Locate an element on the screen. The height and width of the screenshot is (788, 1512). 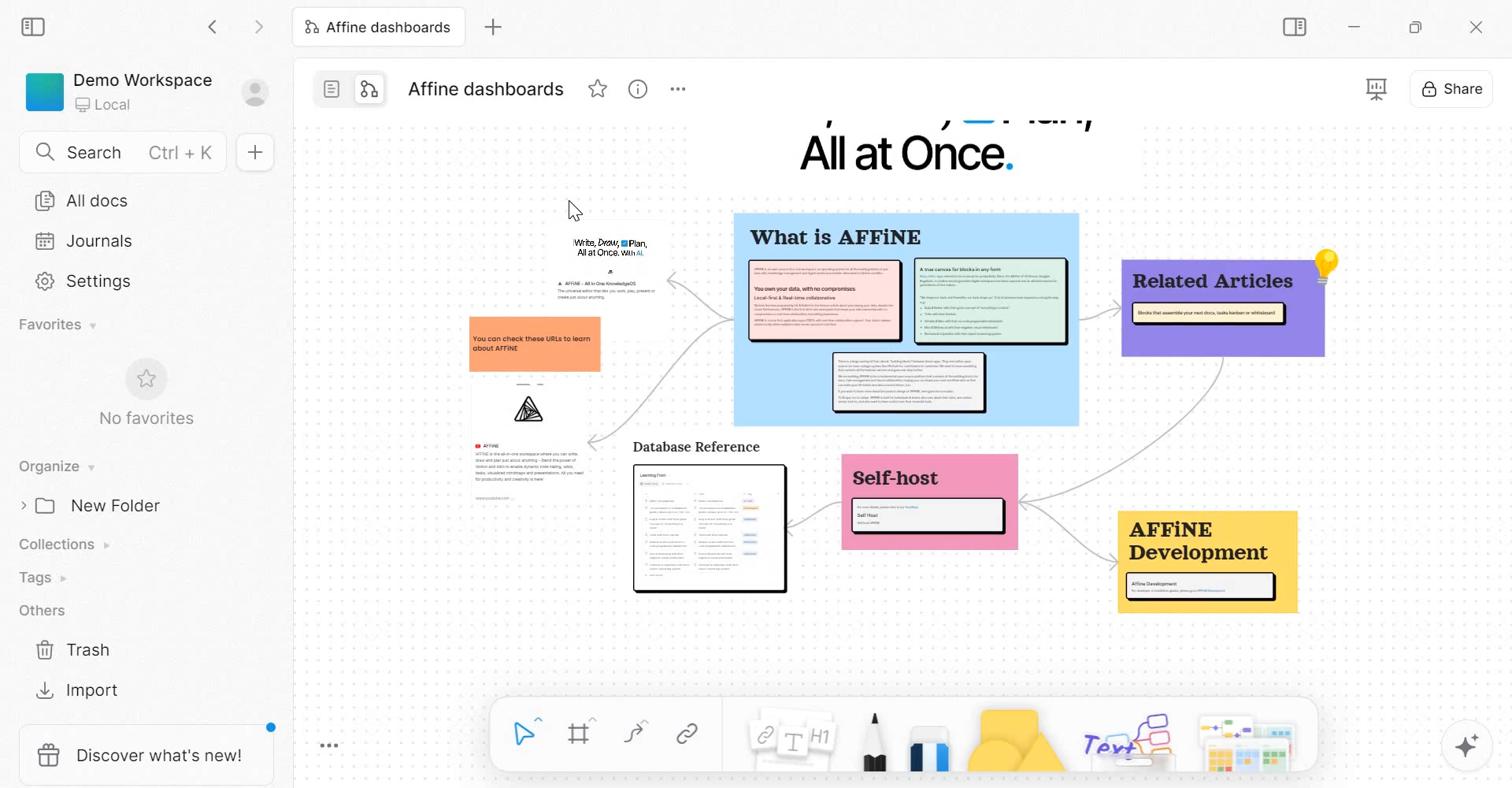
No favorites is located at coordinates (146, 421).